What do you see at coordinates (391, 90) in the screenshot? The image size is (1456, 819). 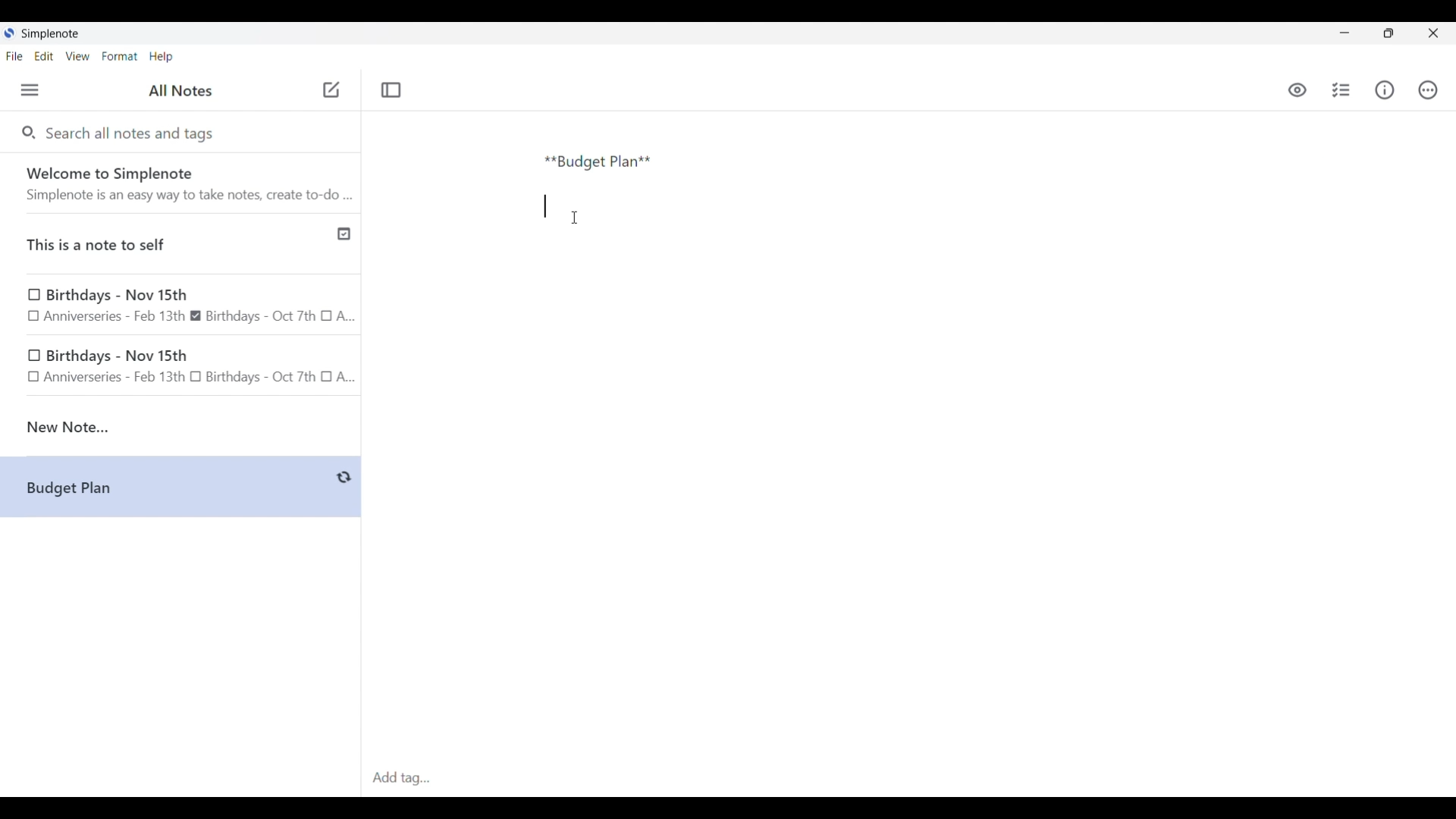 I see `Toggle focus mode` at bounding box center [391, 90].